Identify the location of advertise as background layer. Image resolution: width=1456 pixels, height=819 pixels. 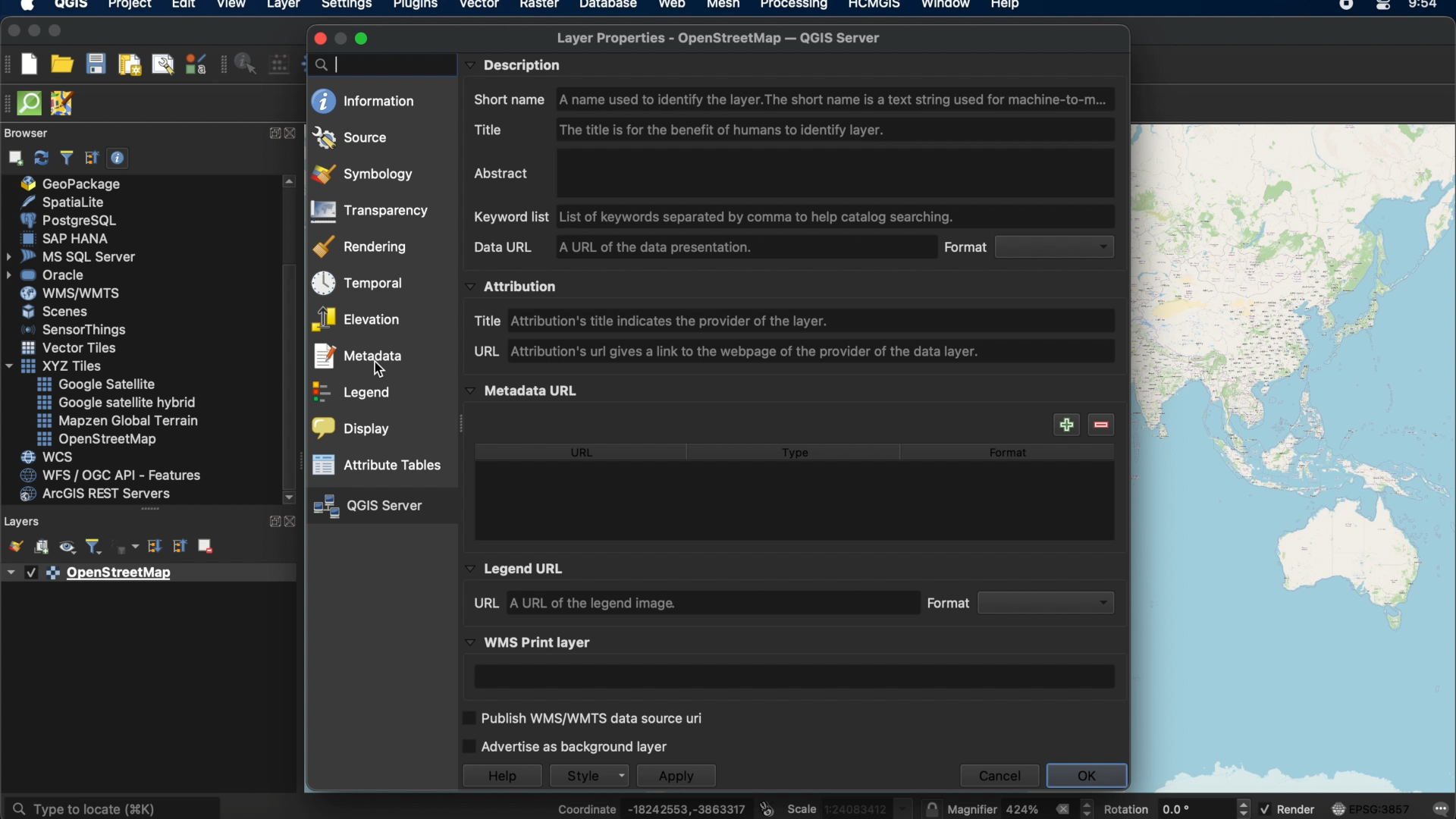
(566, 745).